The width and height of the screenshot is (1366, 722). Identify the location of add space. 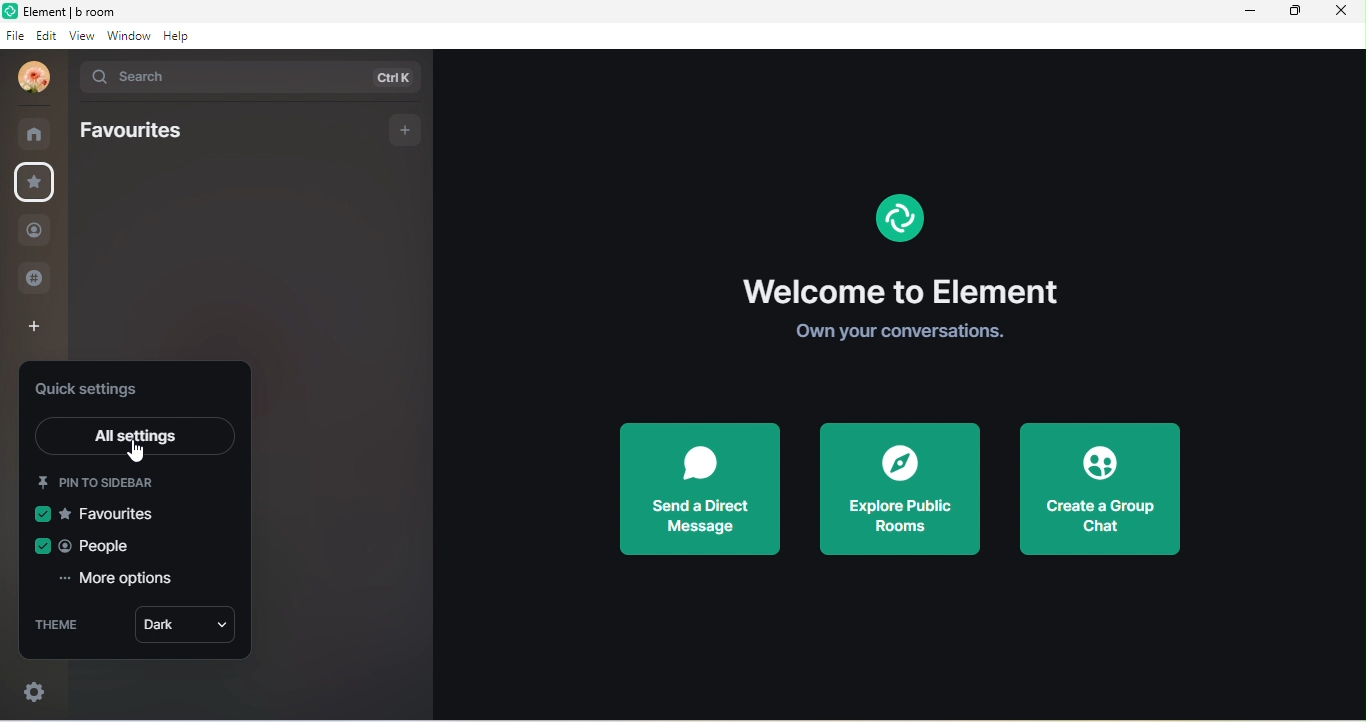
(30, 332).